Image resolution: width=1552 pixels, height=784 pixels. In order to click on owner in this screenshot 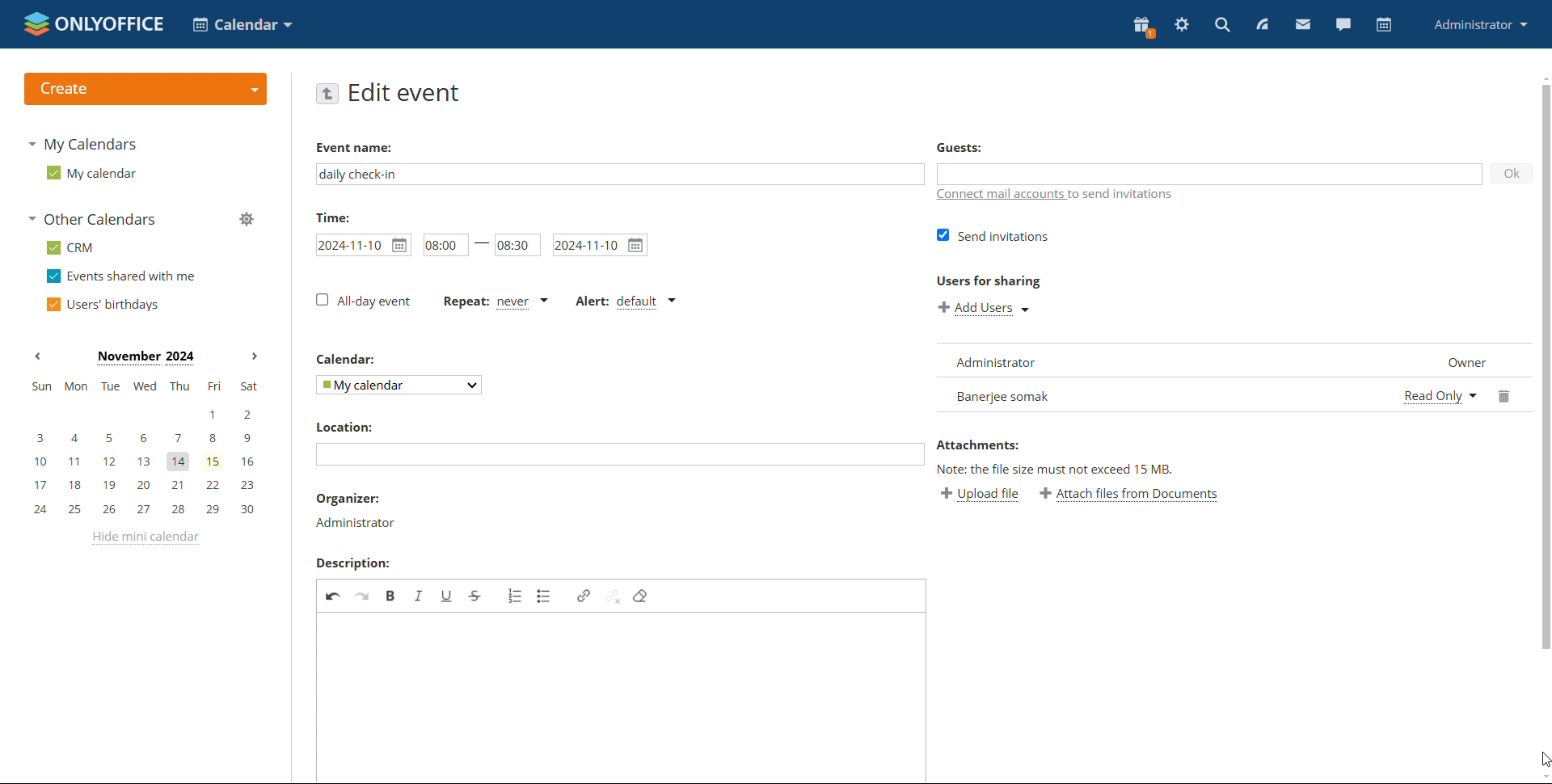, I will do `click(1453, 362)`.